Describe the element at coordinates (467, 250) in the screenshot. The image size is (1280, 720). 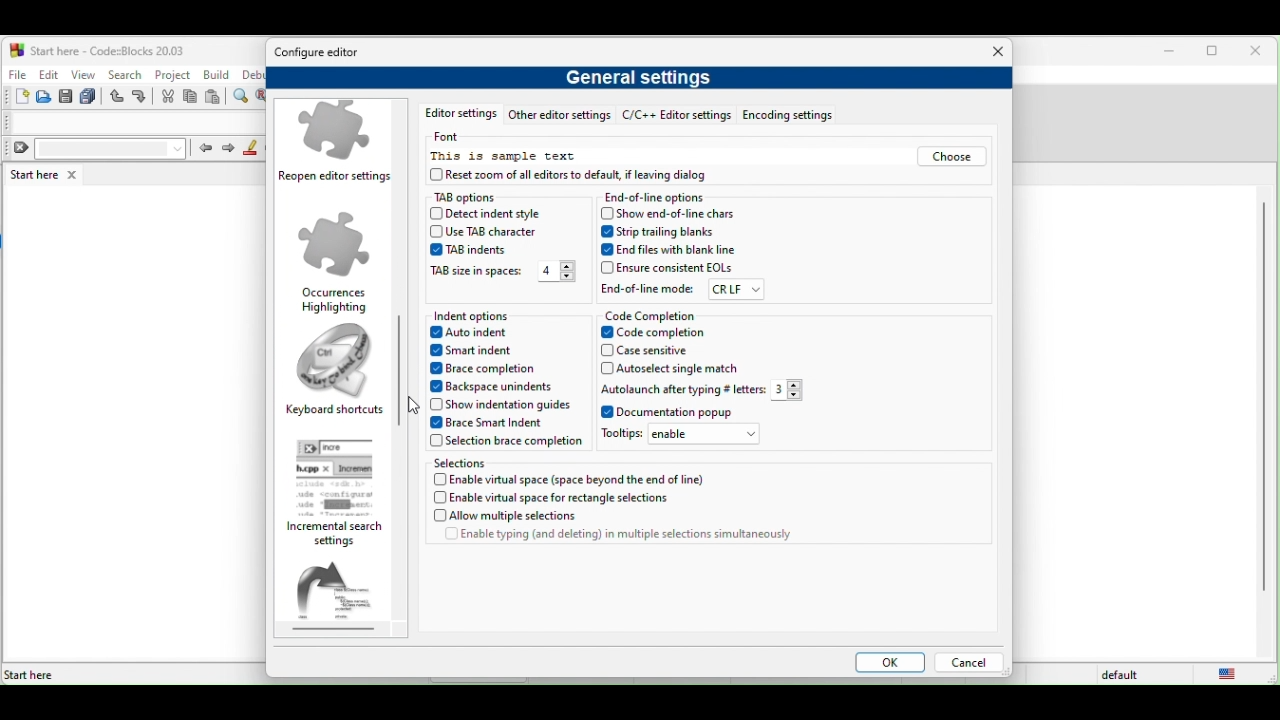
I see `tab indent` at that location.